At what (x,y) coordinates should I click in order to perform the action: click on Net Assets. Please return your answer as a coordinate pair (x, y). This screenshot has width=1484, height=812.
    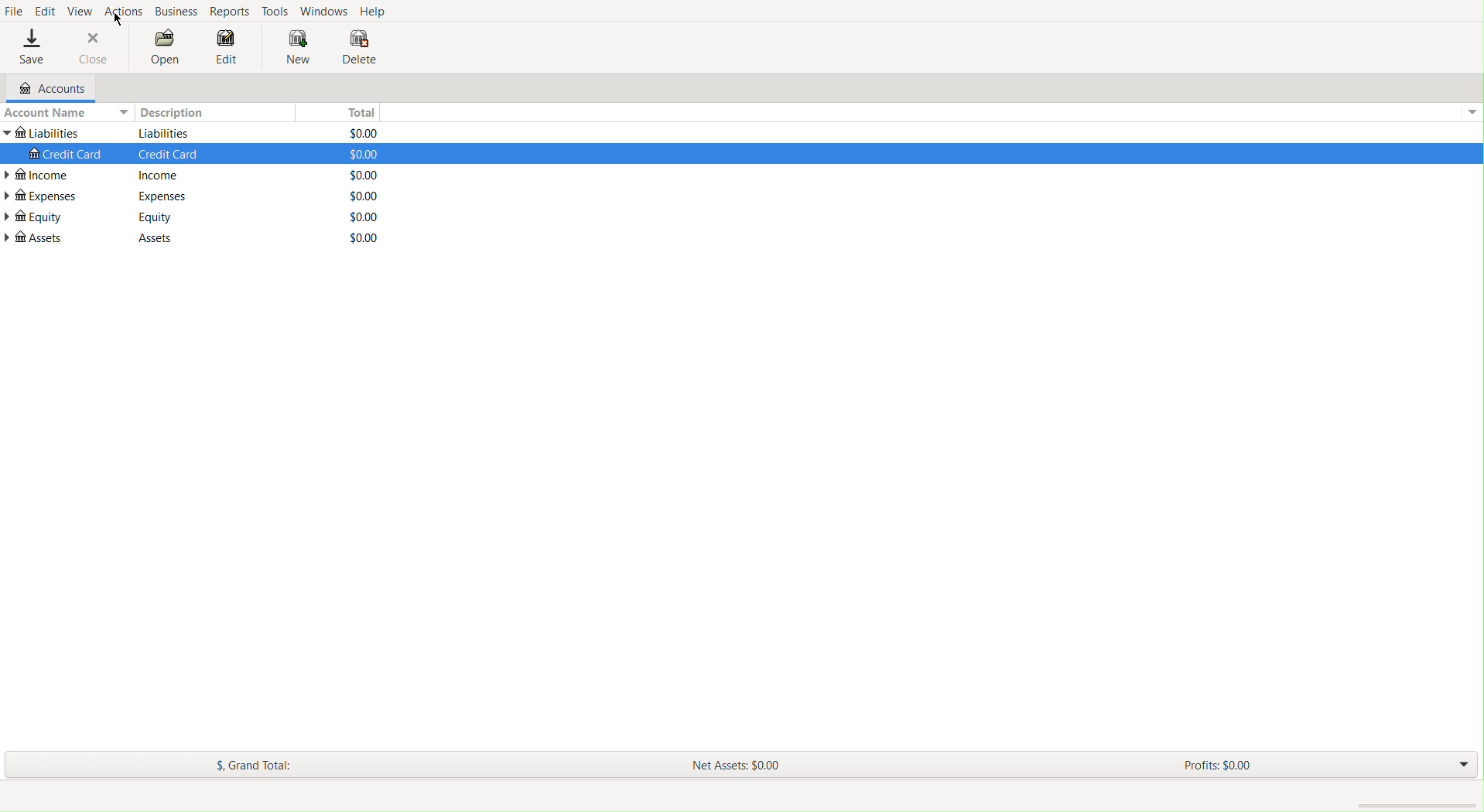
    Looking at the image, I should click on (733, 765).